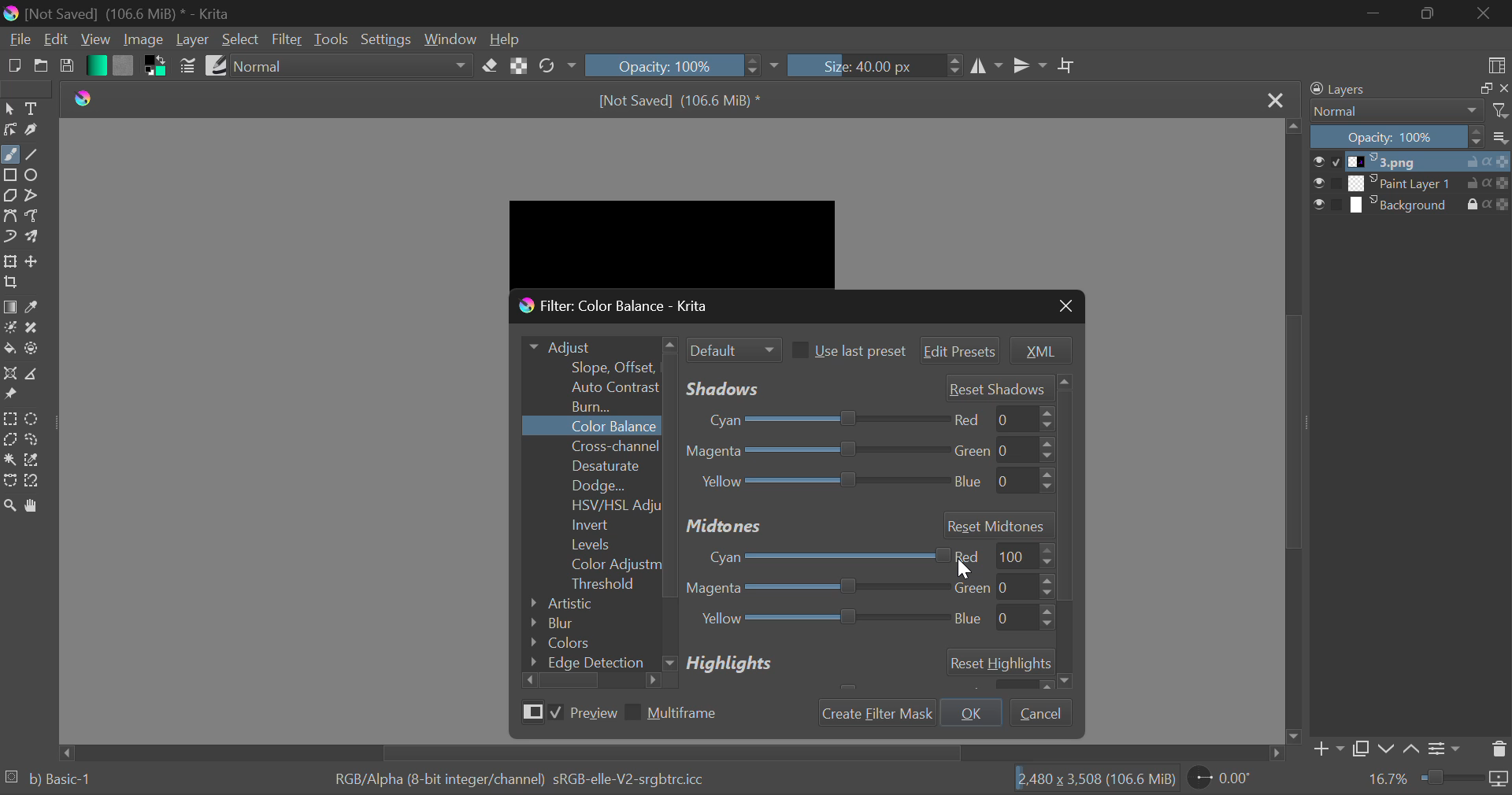 This screenshot has width=1512, height=795. I want to click on Artistic, so click(584, 604).